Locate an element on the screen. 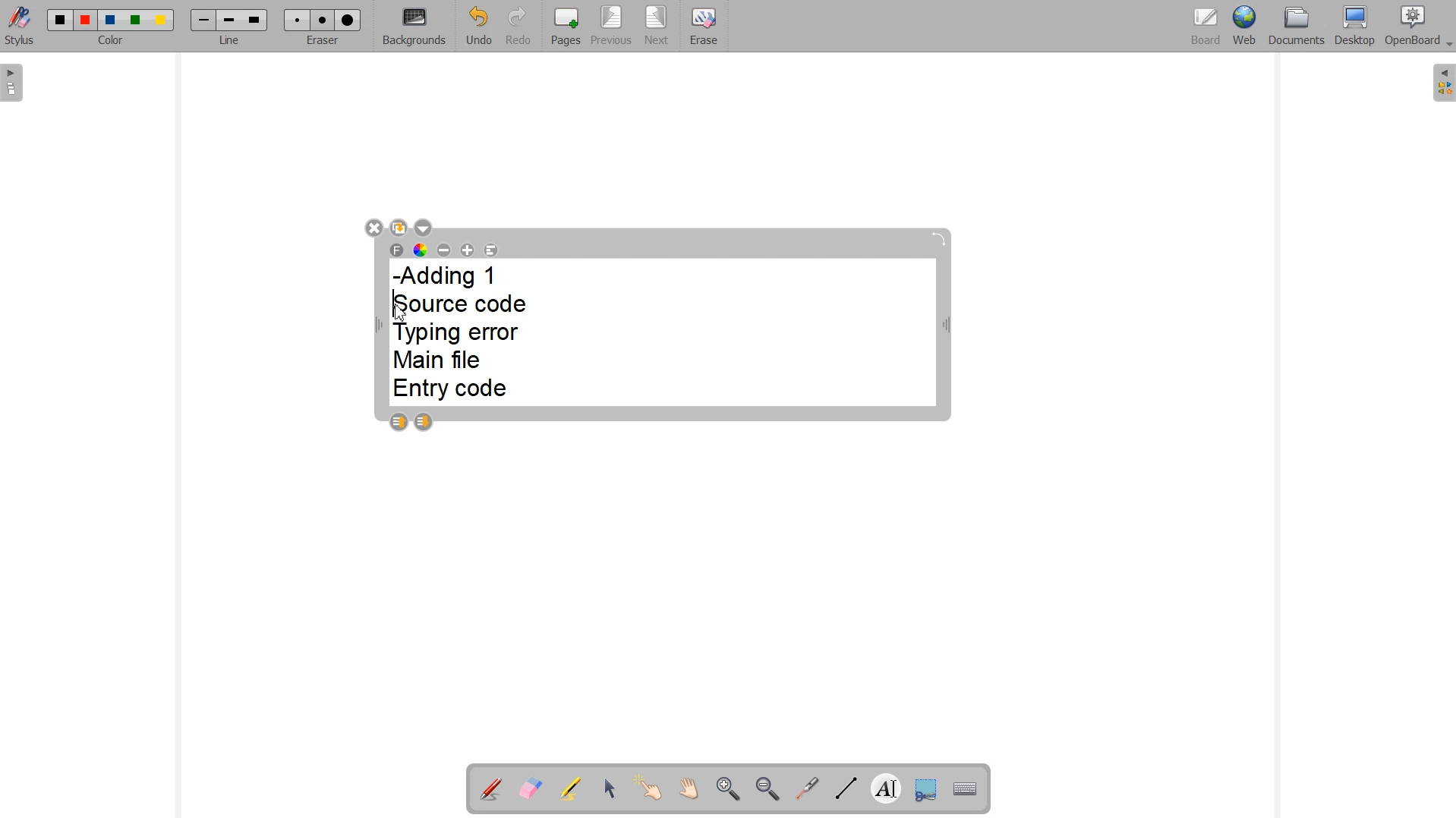 The width and height of the screenshot is (1456, 818). Color 5 is located at coordinates (162, 20).